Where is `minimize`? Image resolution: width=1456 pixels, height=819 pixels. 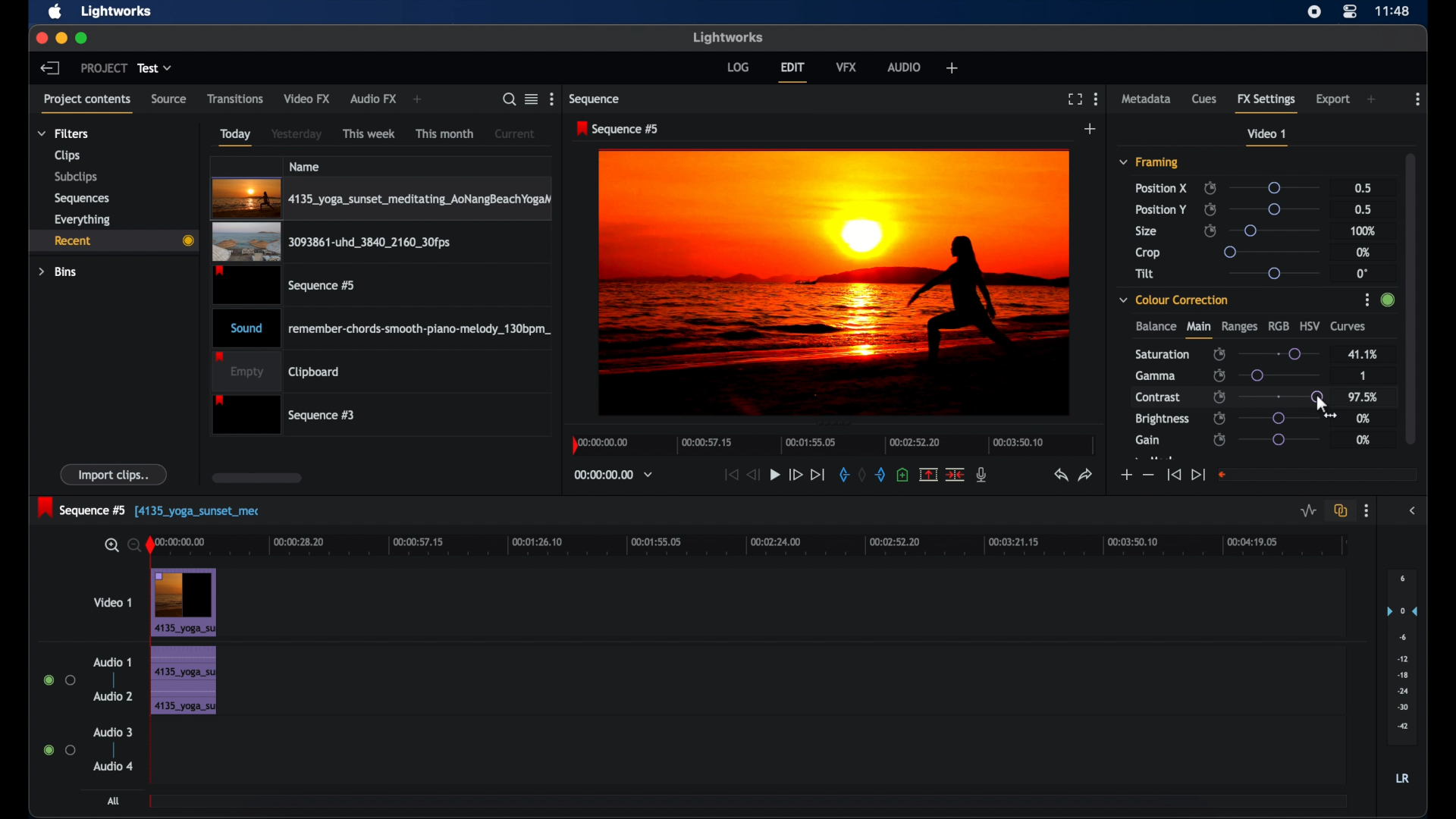
minimize is located at coordinates (58, 38).